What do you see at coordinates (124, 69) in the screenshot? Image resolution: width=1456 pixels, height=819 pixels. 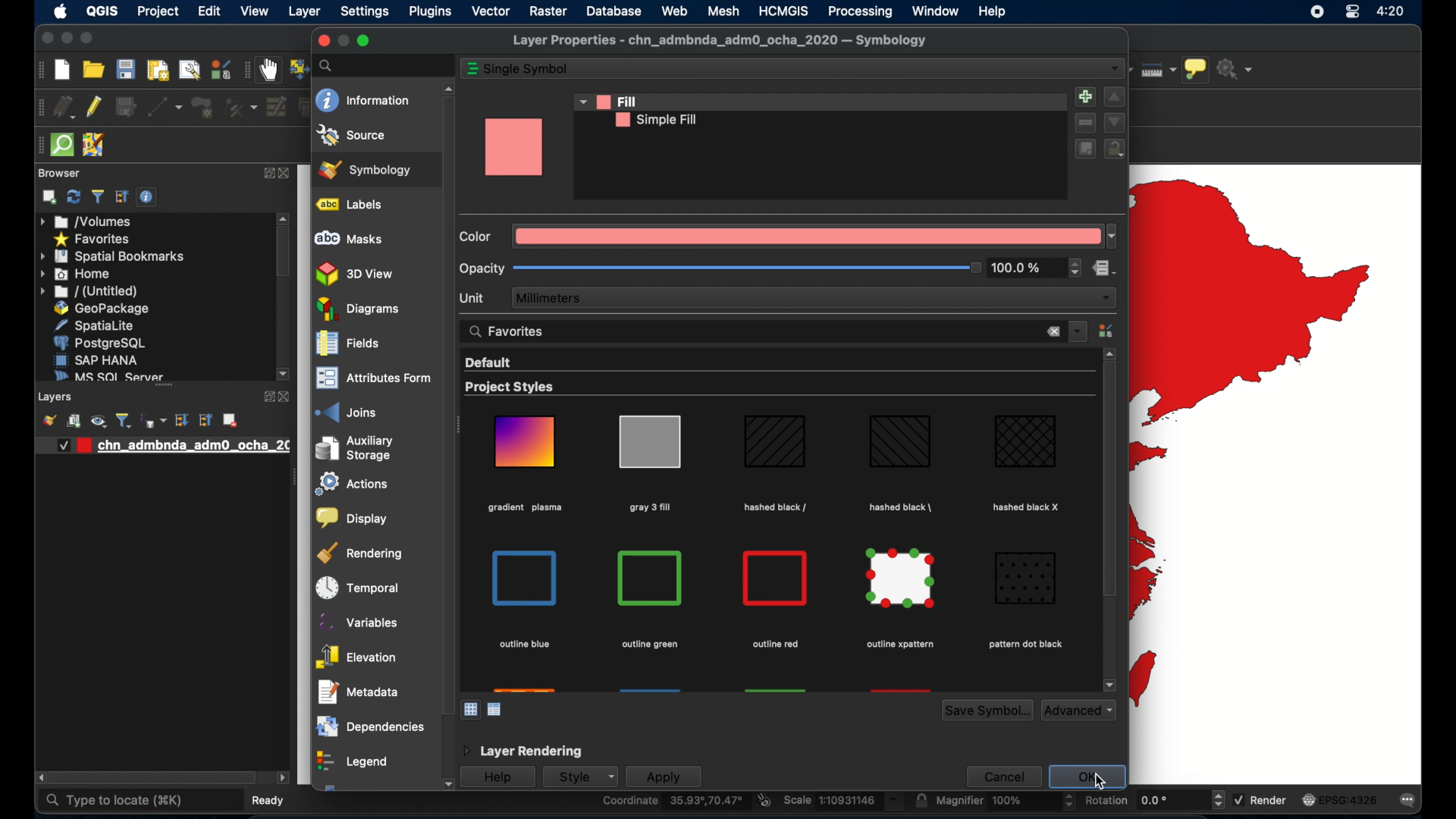 I see `save project` at bounding box center [124, 69].